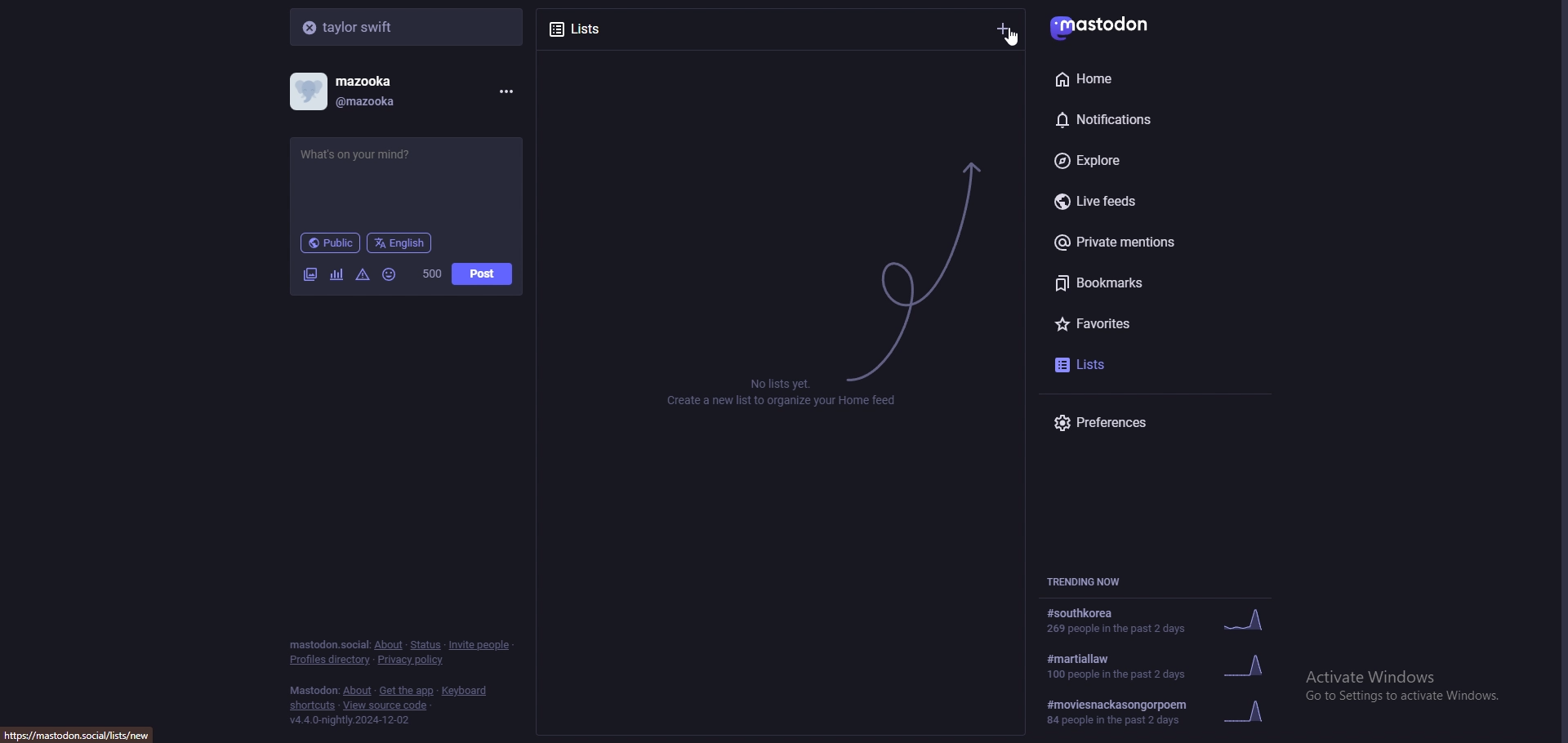 The height and width of the screenshot is (743, 1568). What do you see at coordinates (1111, 27) in the screenshot?
I see `mastodon` at bounding box center [1111, 27].